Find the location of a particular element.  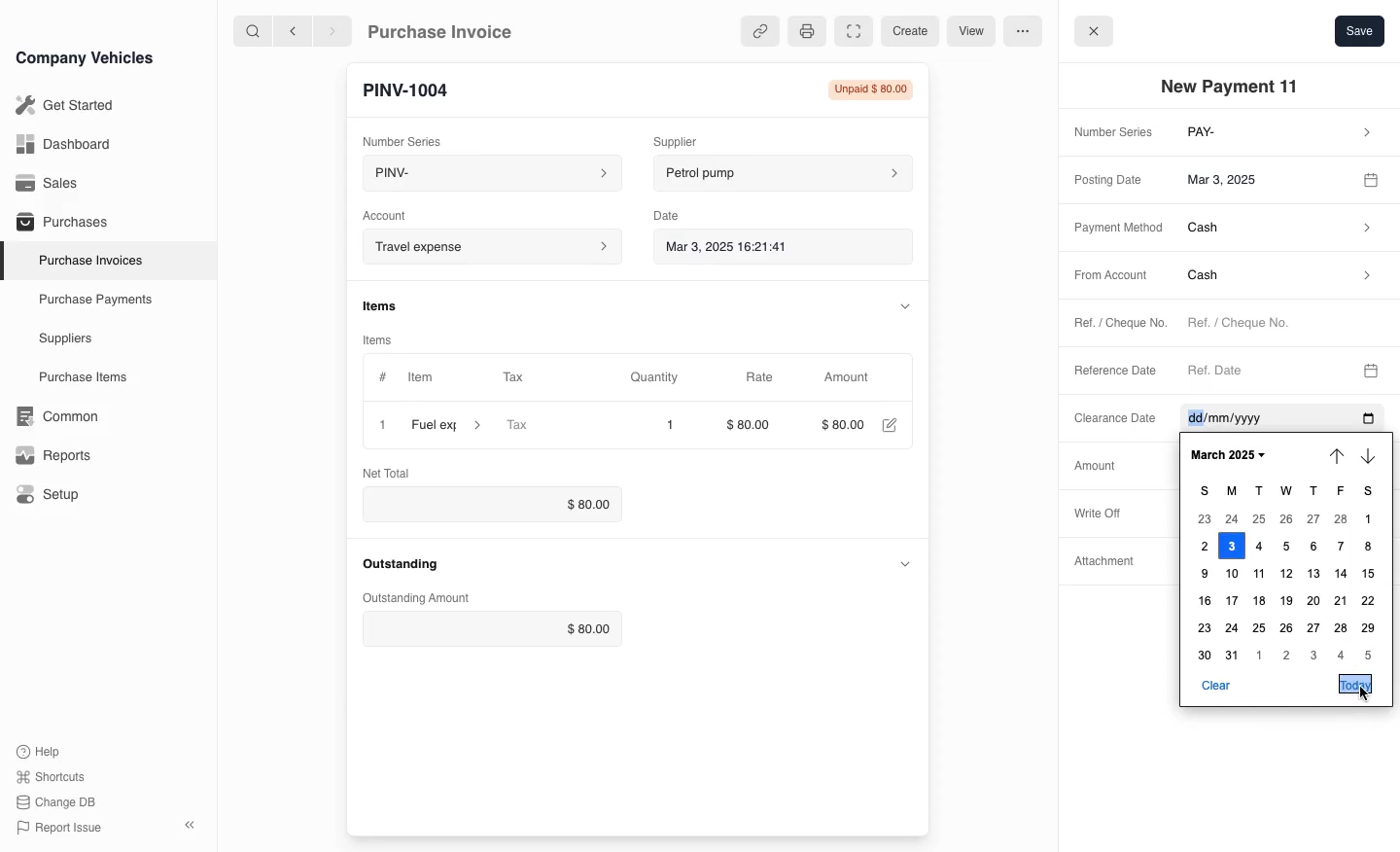

Get Started is located at coordinates (61, 105).